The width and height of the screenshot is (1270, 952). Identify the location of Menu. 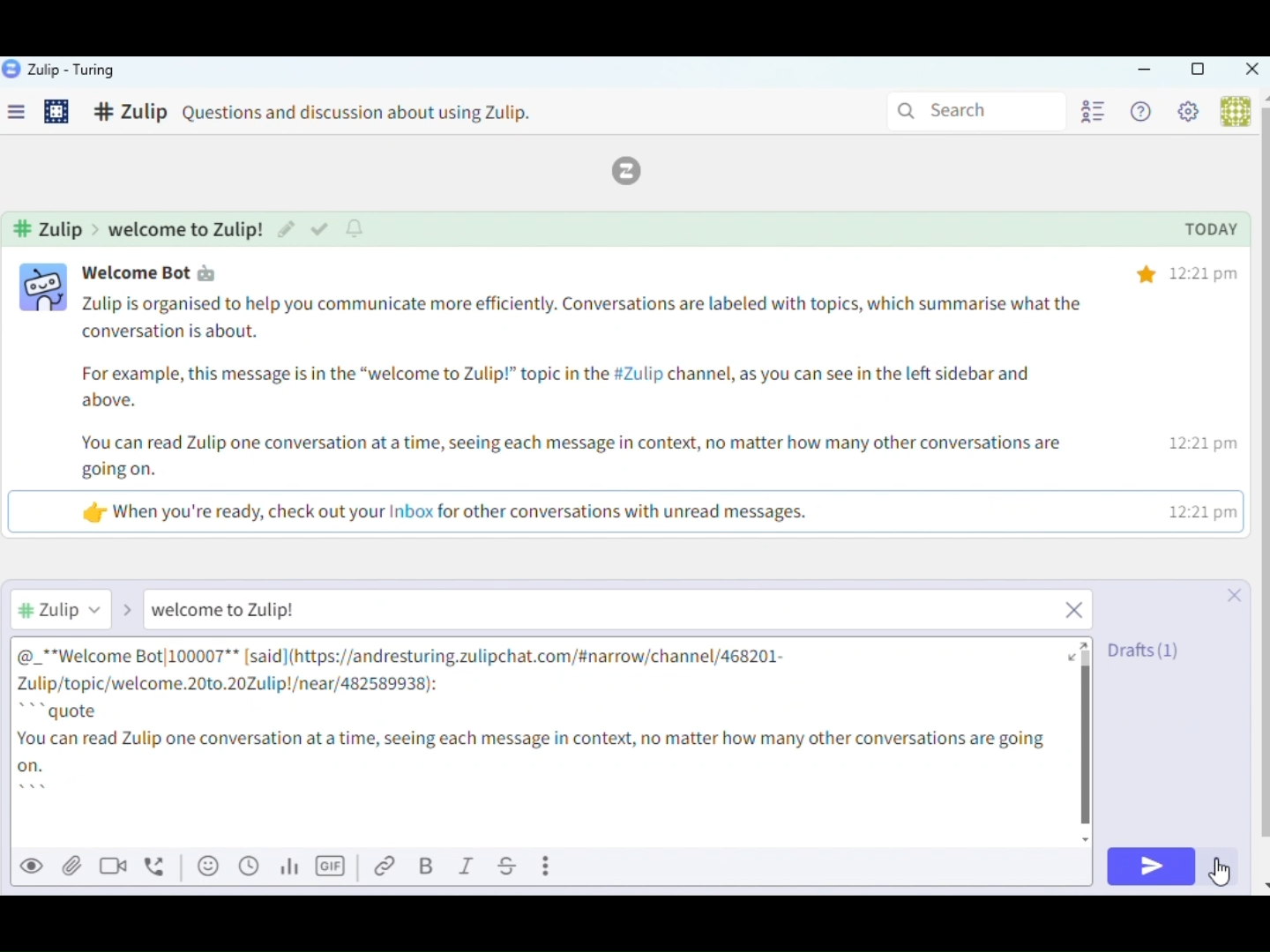
(23, 115).